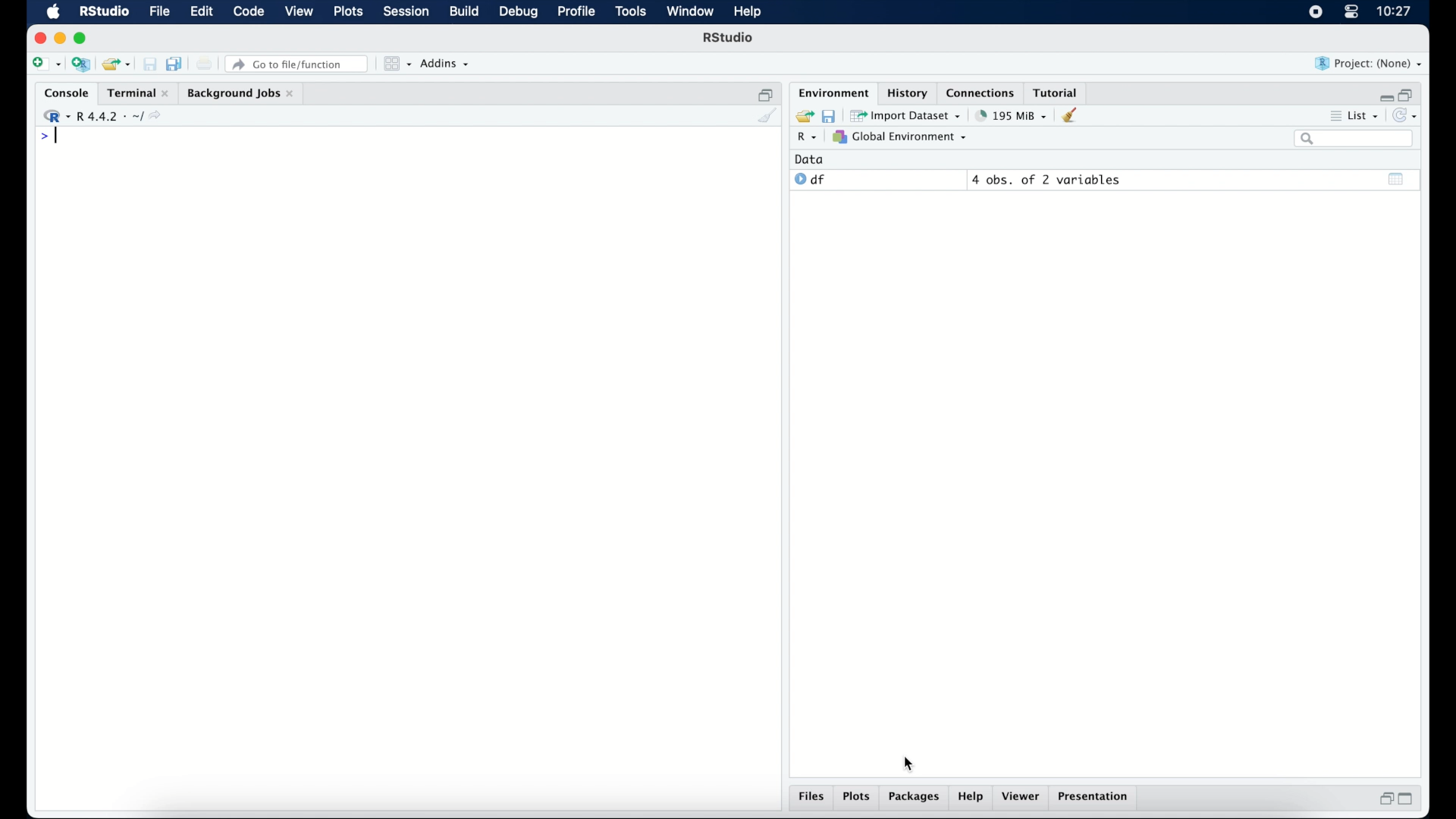 The width and height of the screenshot is (1456, 819). What do you see at coordinates (1059, 92) in the screenshot?
I see `tutorial` at bounding box center [1059, 92].